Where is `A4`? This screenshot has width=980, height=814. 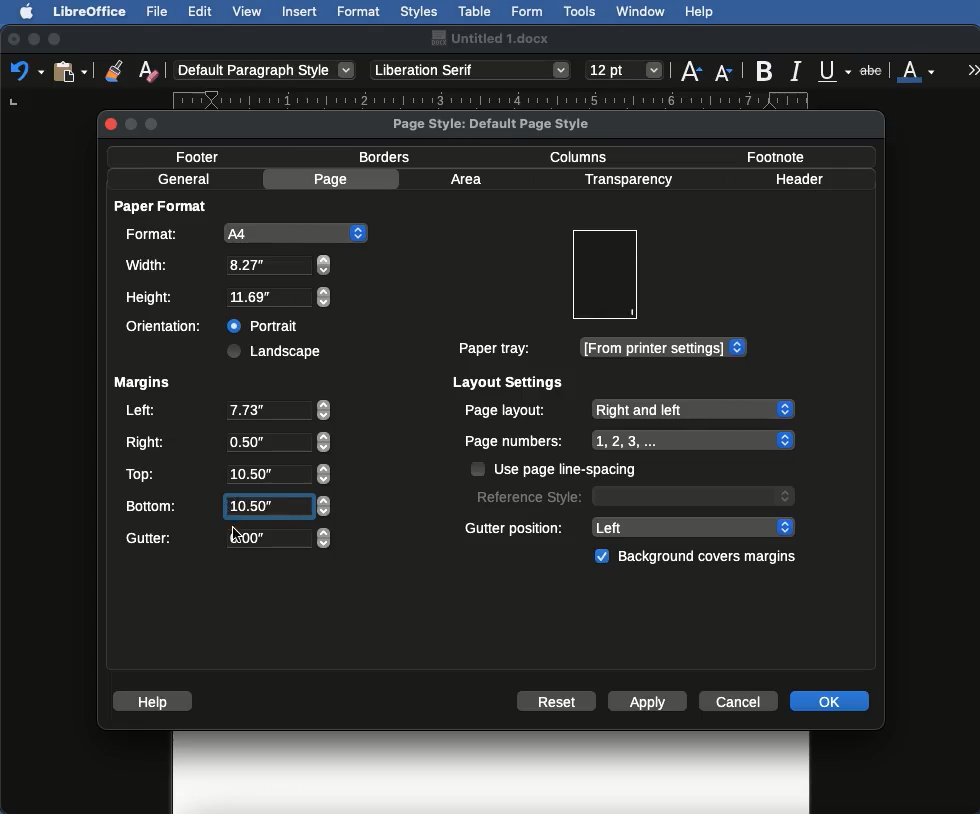
A4 is located at coordinates (243, 233).